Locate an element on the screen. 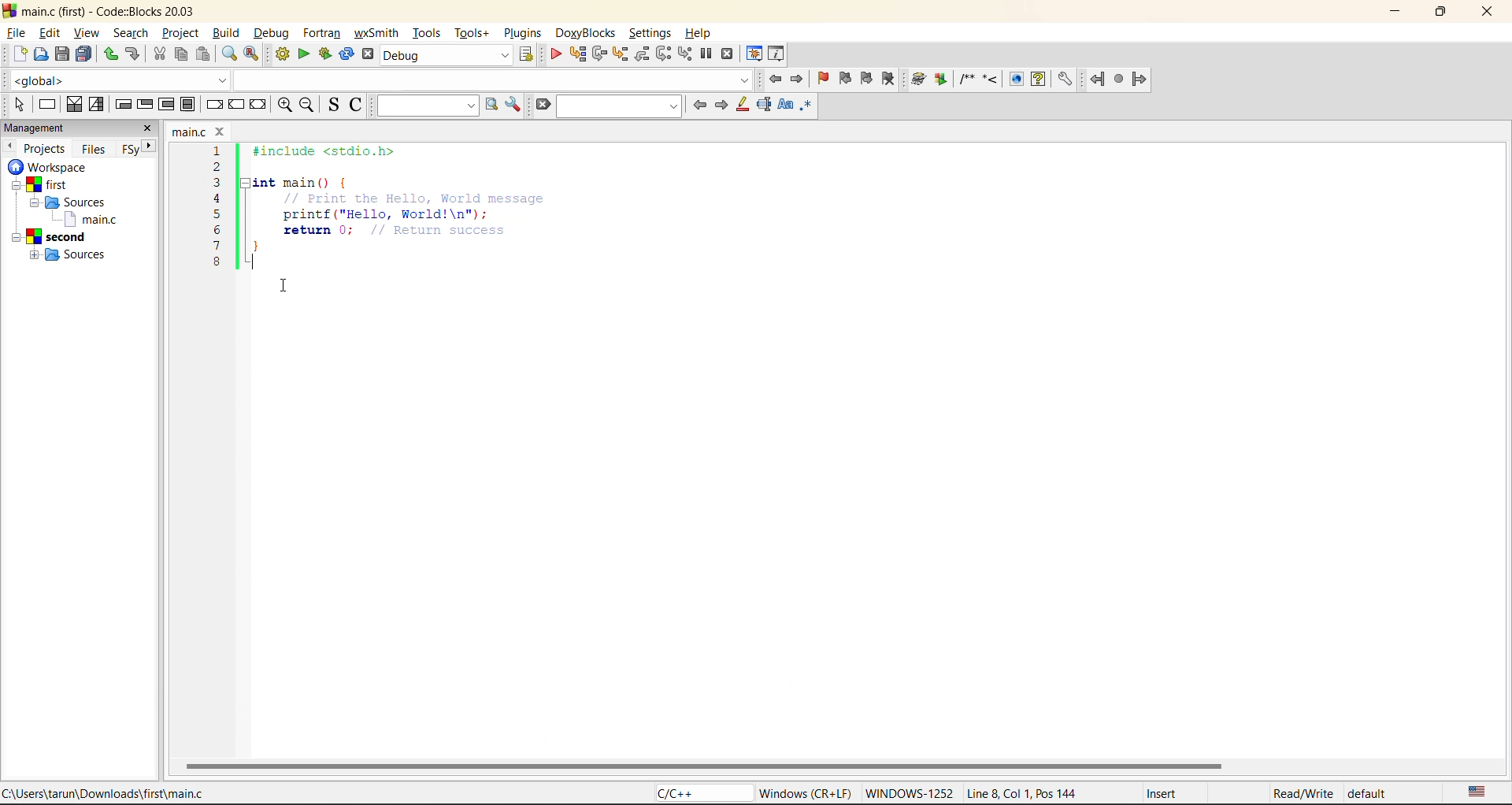 This screenshot has height=805, width=1512. build and run is located at coordinates (328, 57).